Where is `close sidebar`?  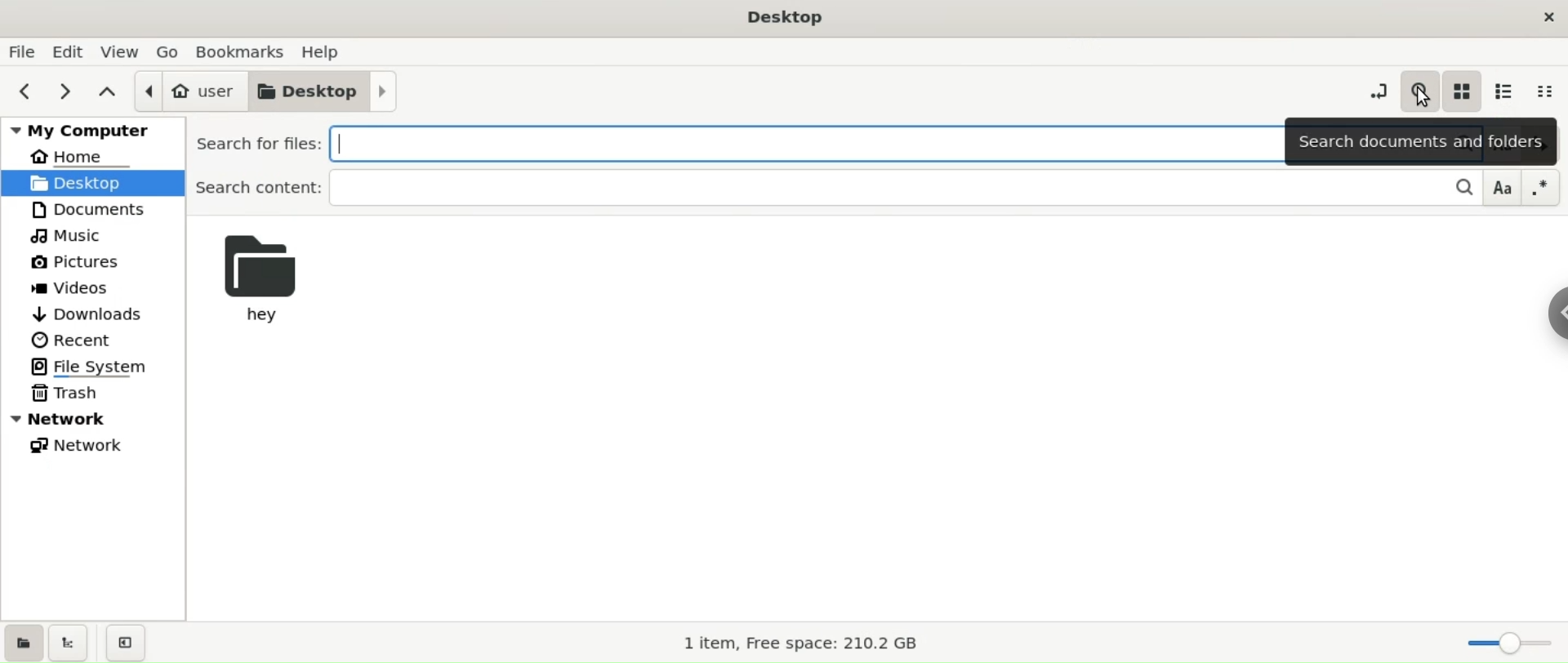
close sidebar is located at coordinates (124, 644).